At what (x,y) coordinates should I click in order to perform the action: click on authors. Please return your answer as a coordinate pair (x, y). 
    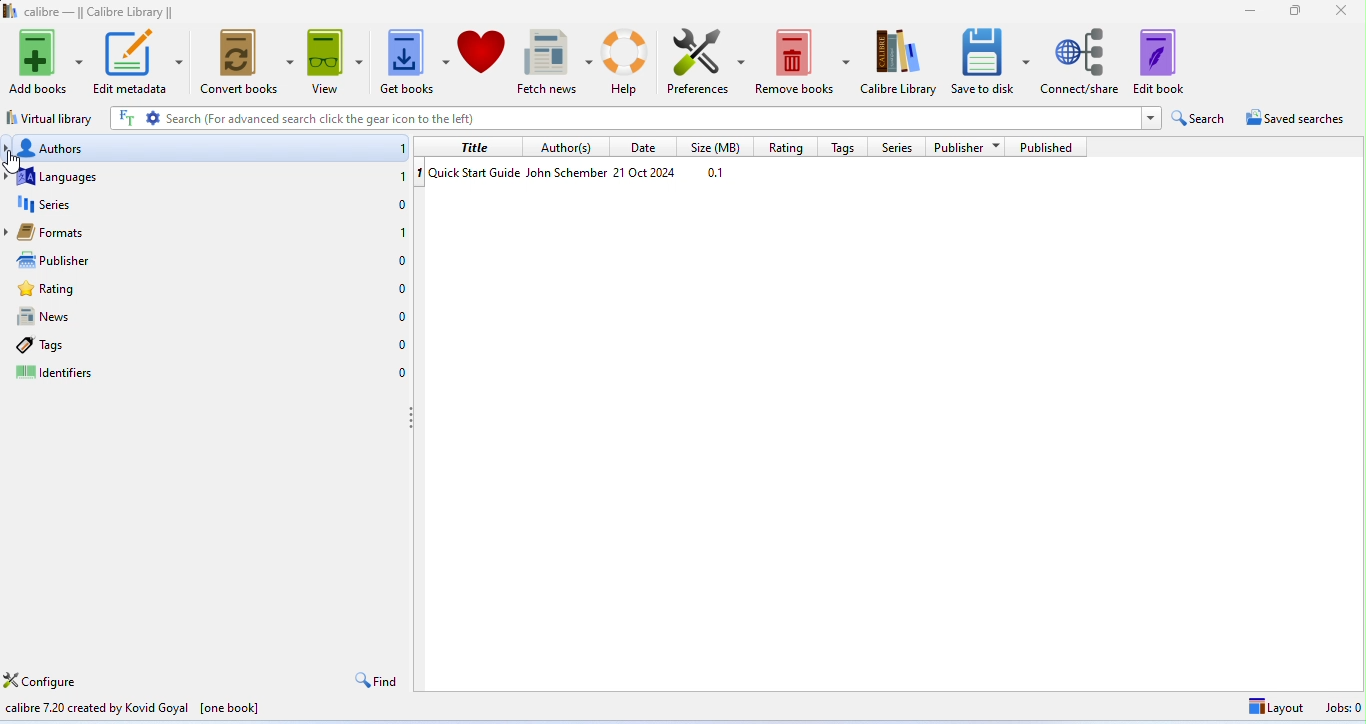
    Looking at the image, I should click on (212, 150).